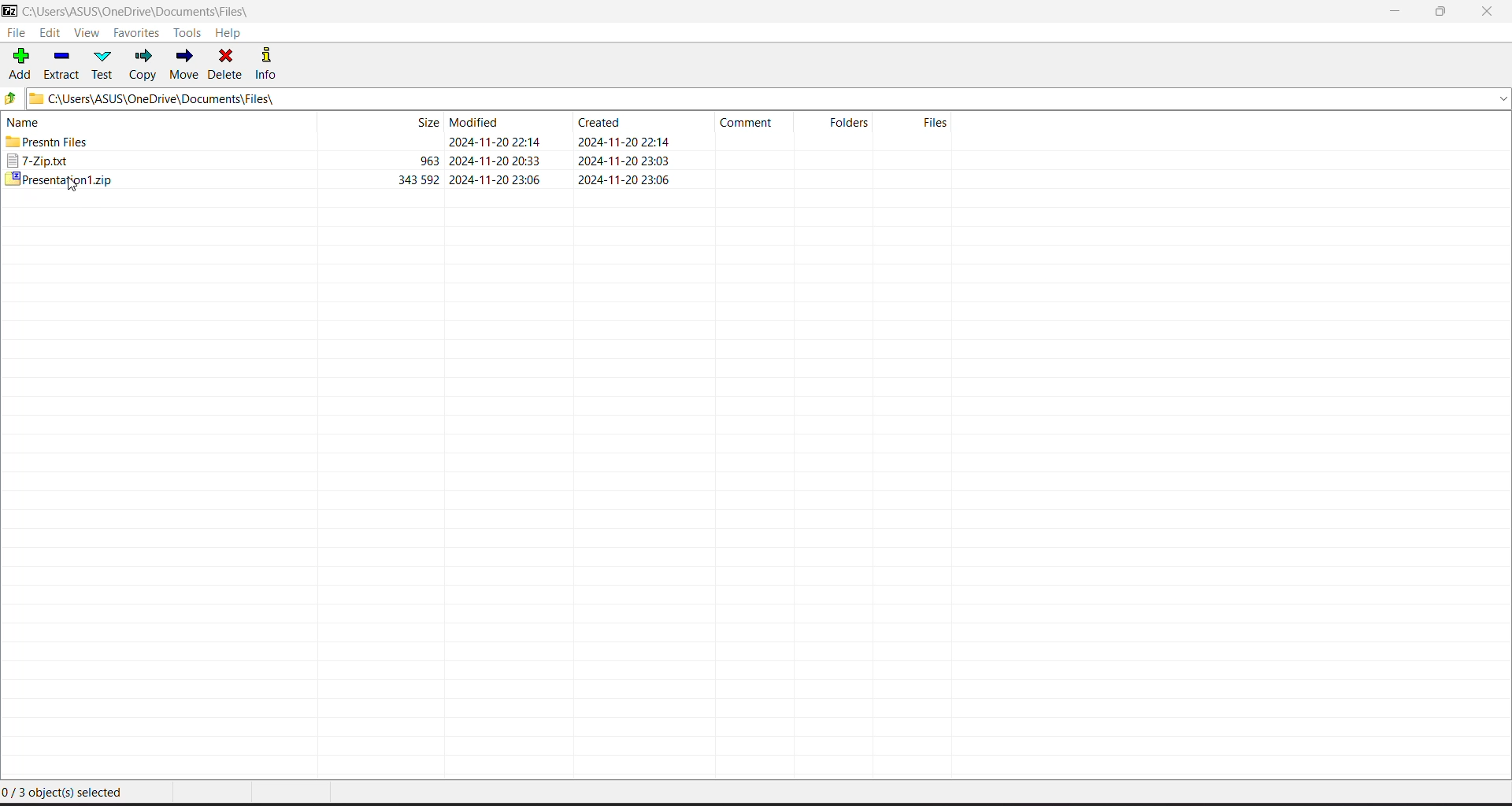 The width and height of the screenshot is (1512, 806). I want to click on Test, so click(105, 64).